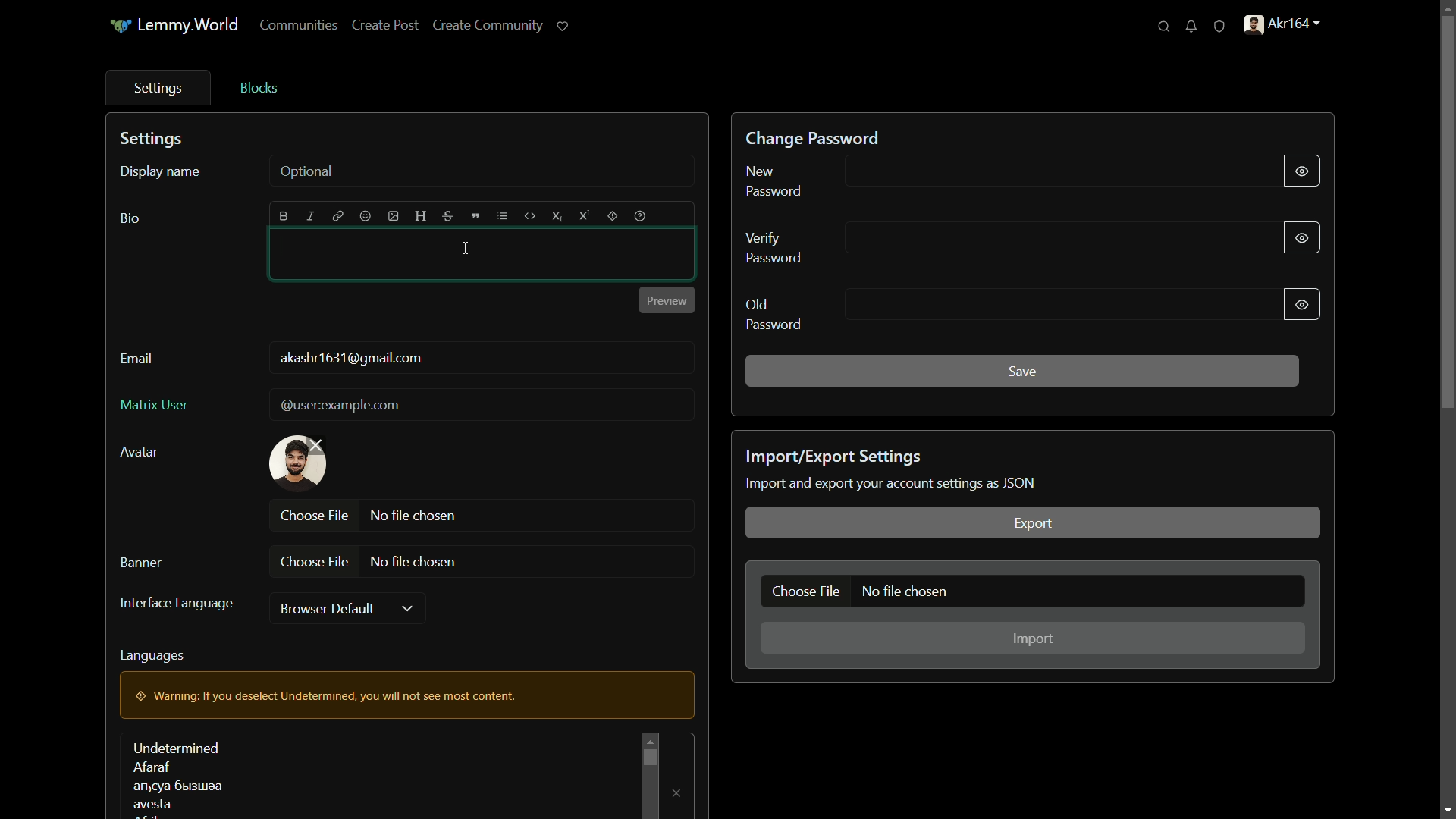  What do you see at coordinates (667, 300) in the screenshot?
I see `preview` at bounding box center [667, 300].